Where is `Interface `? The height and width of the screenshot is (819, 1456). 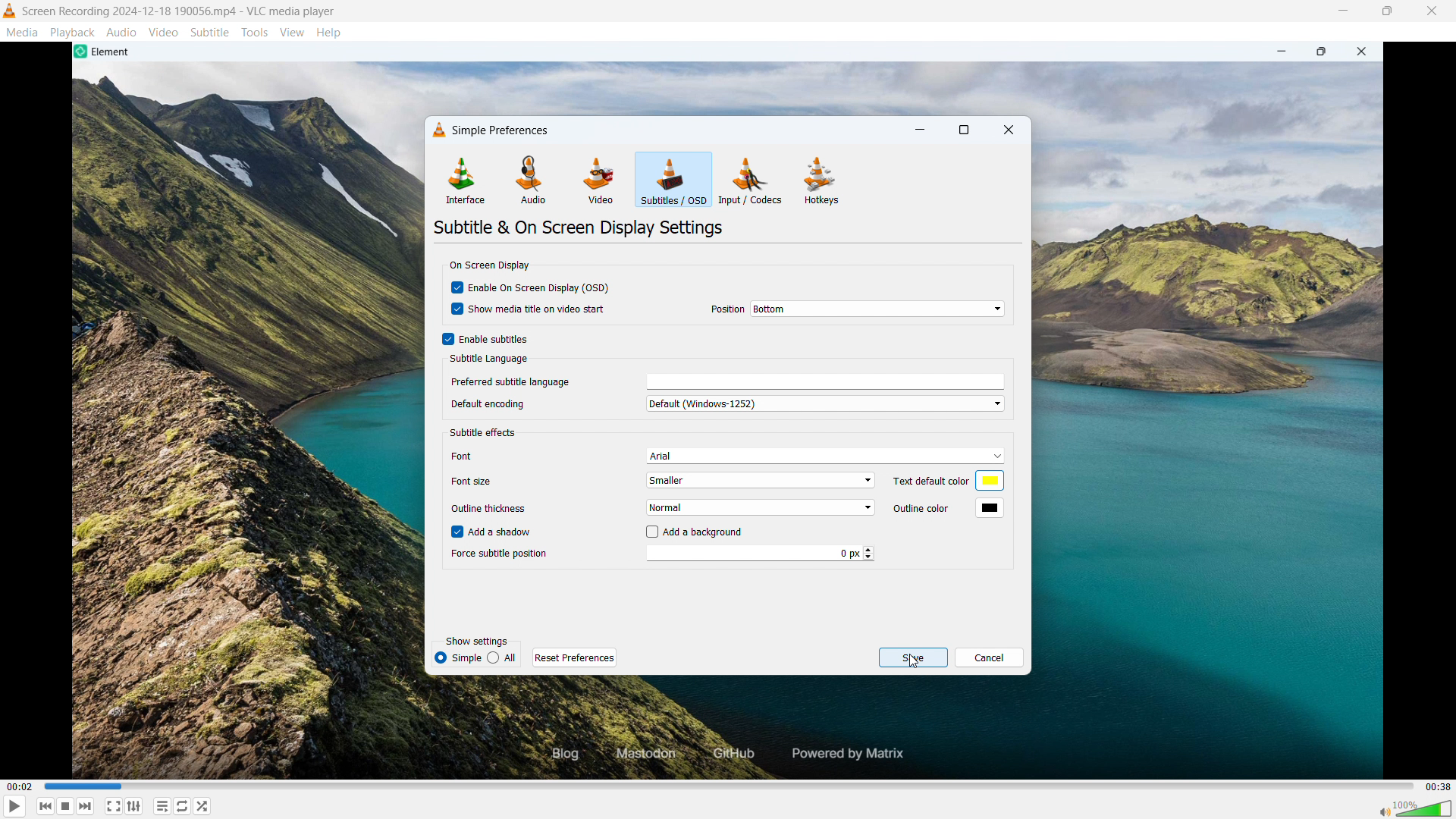 Interface  is located at coordinates (465, 180).